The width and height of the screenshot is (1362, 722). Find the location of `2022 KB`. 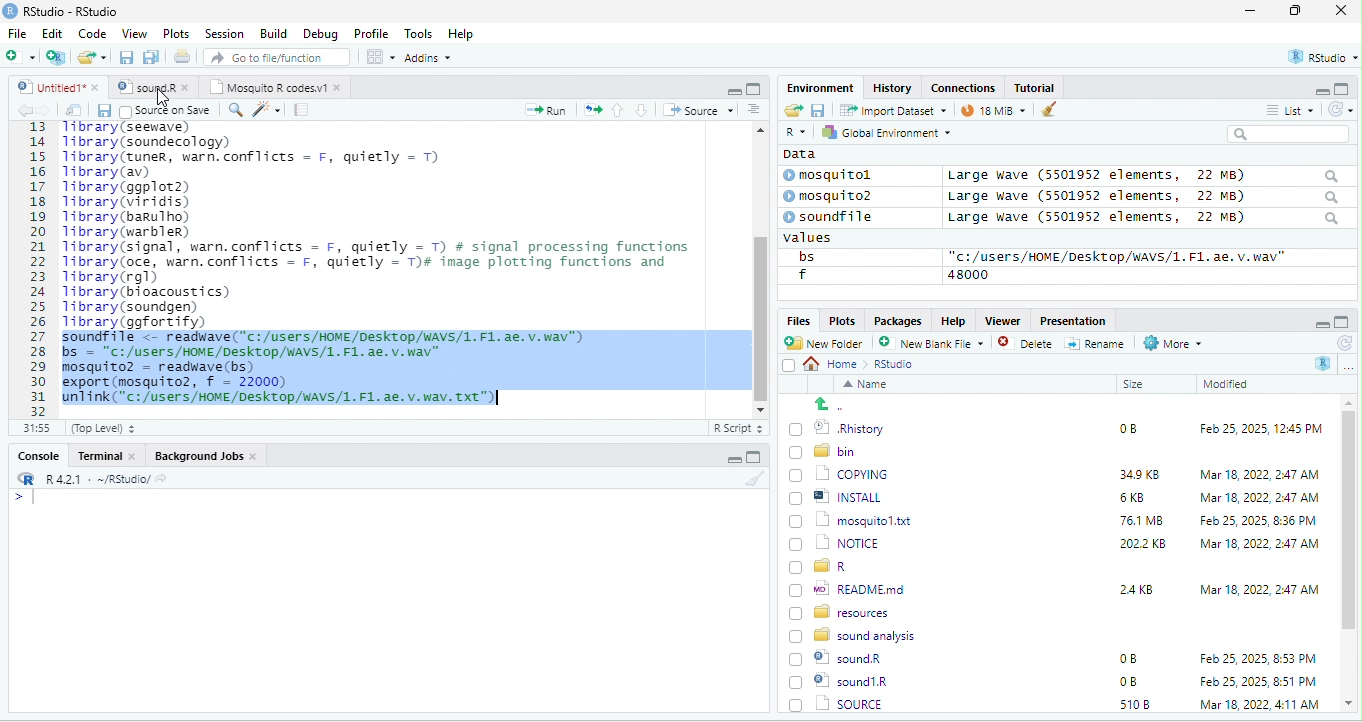

2022 KB is located at coordinates (1144, 545).